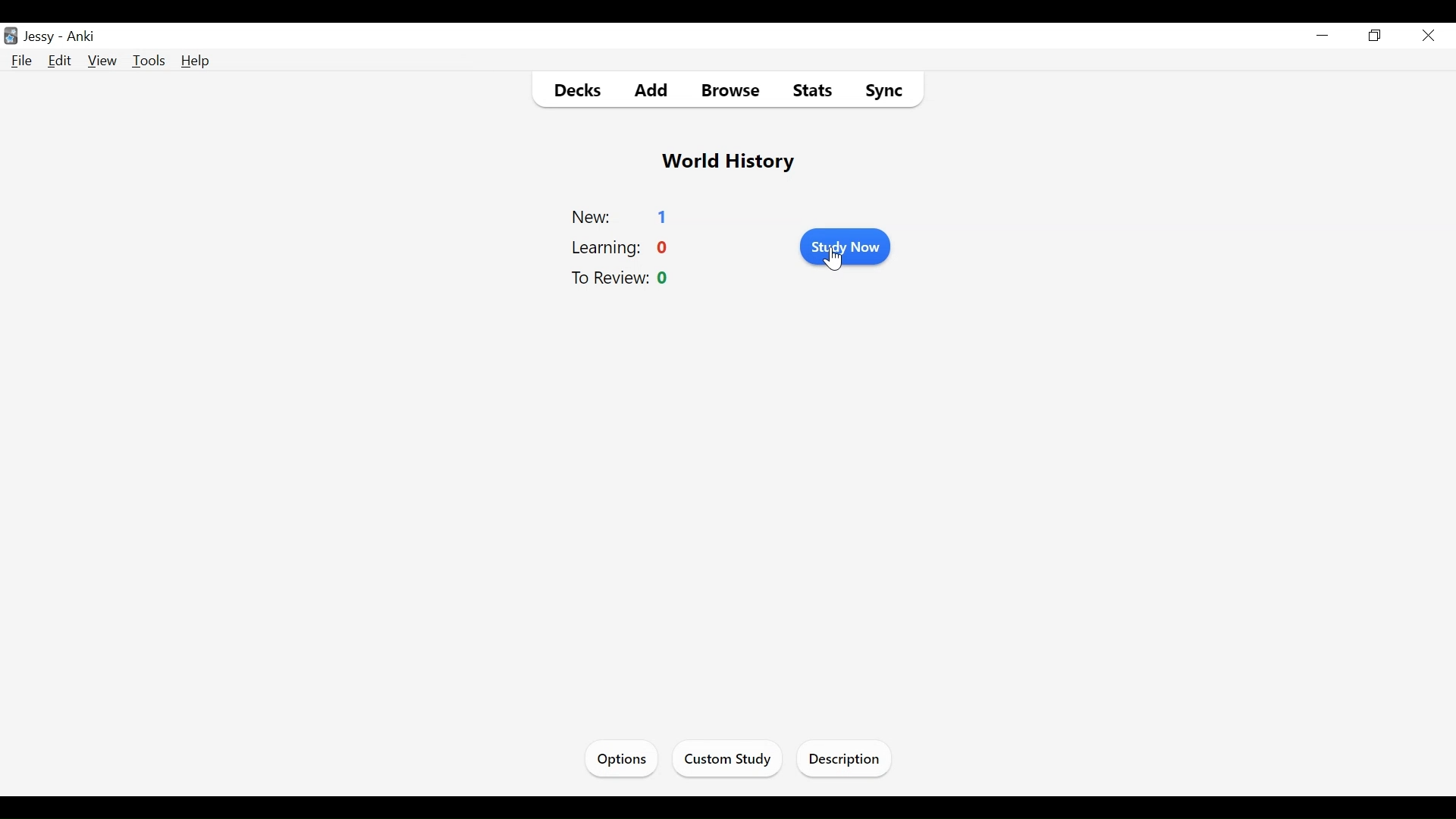 The height and width of the screenshot is (819, 1456). What do you see at coordinates (623, 246) in the screenshot?
I see `Learning: 0` at bounding box center [623, 246].